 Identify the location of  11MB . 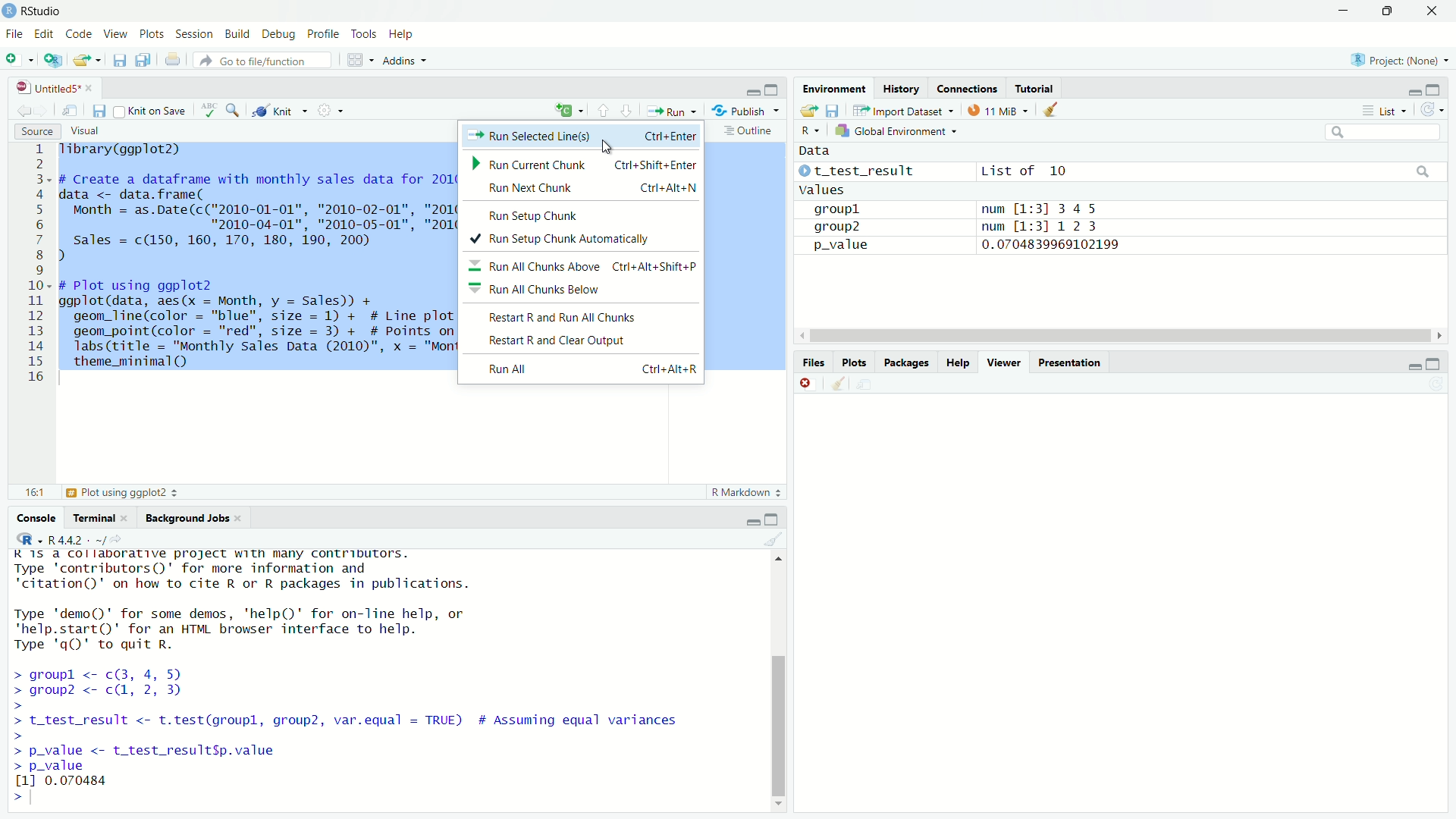
(998, 110).